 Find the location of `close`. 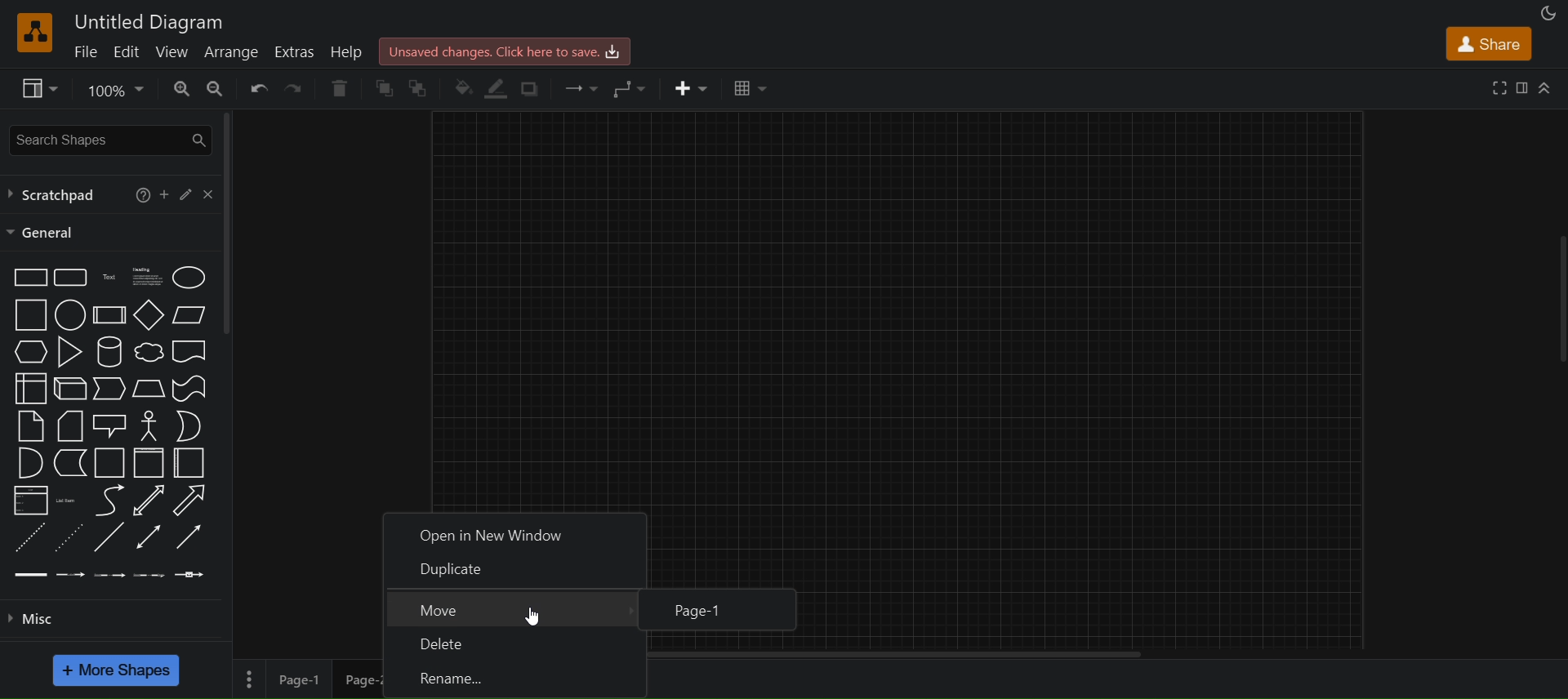

close is located at coordinates (207, 194).